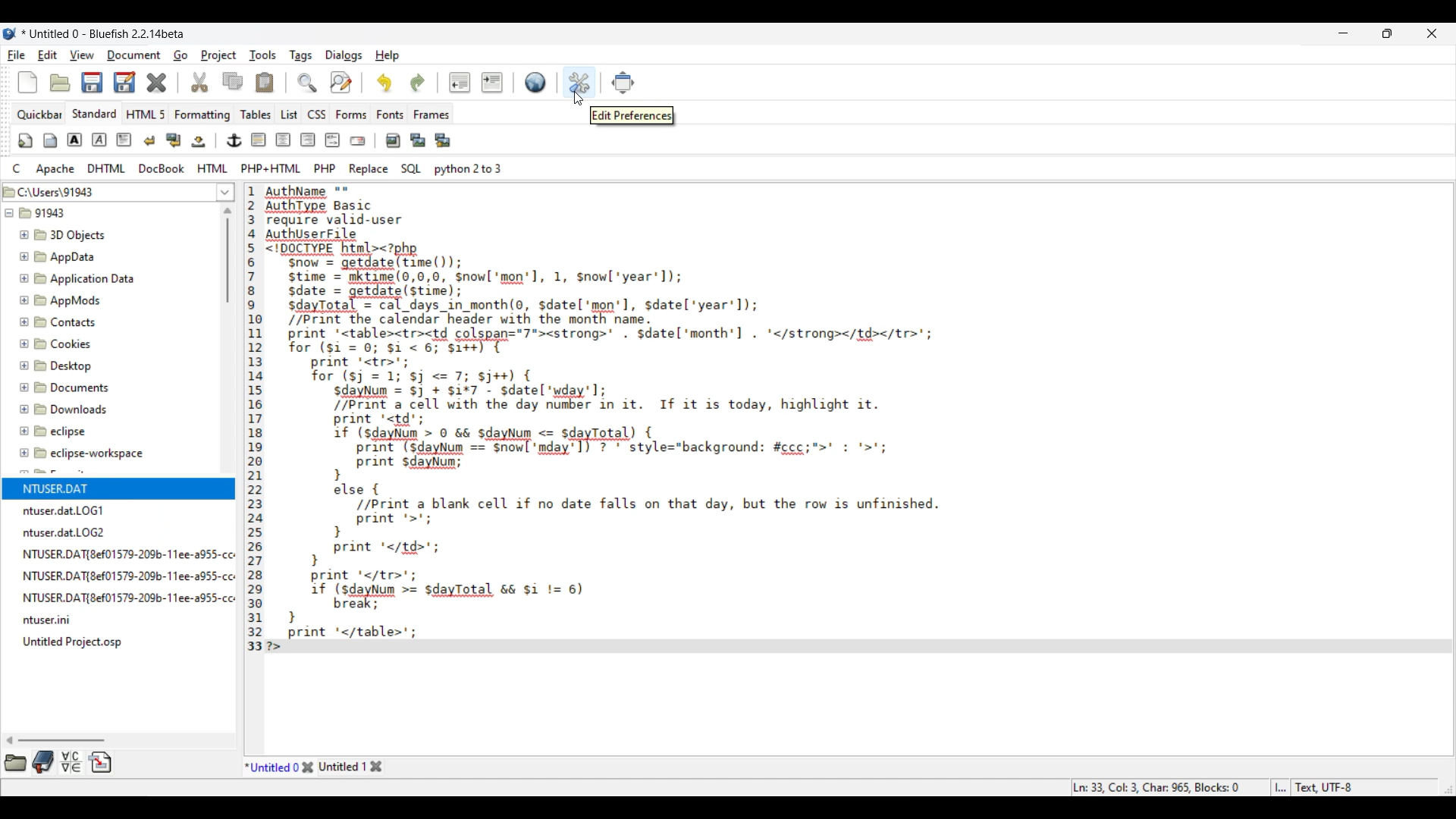 This screenshot has height=819, width=1456. What do you see at coordinates (576, 102) in the screenshot?
I see `cursor` at bounding box center [576, 102].